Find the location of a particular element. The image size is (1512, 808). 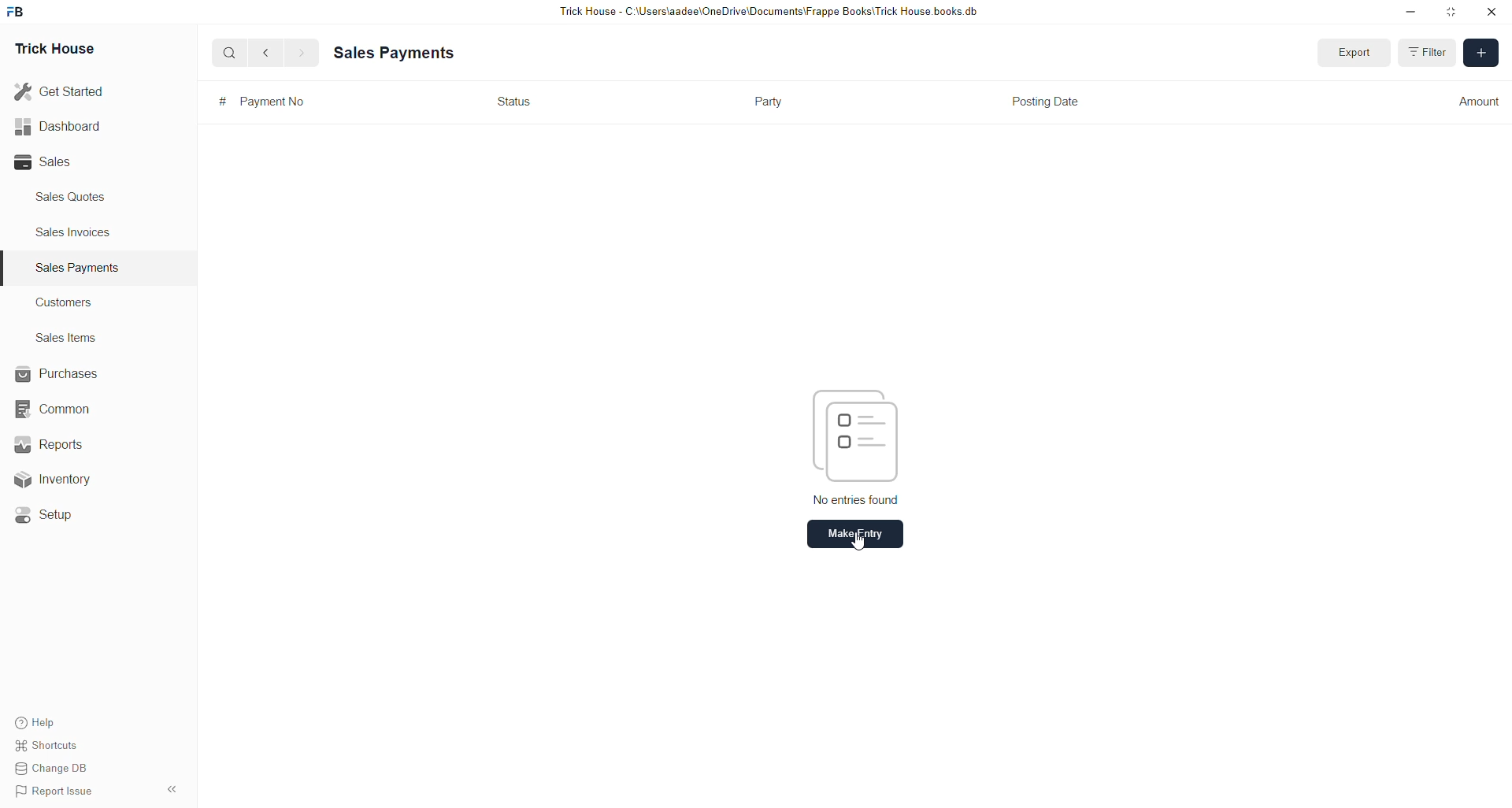

Get Started is located at coordinates (60, 92).